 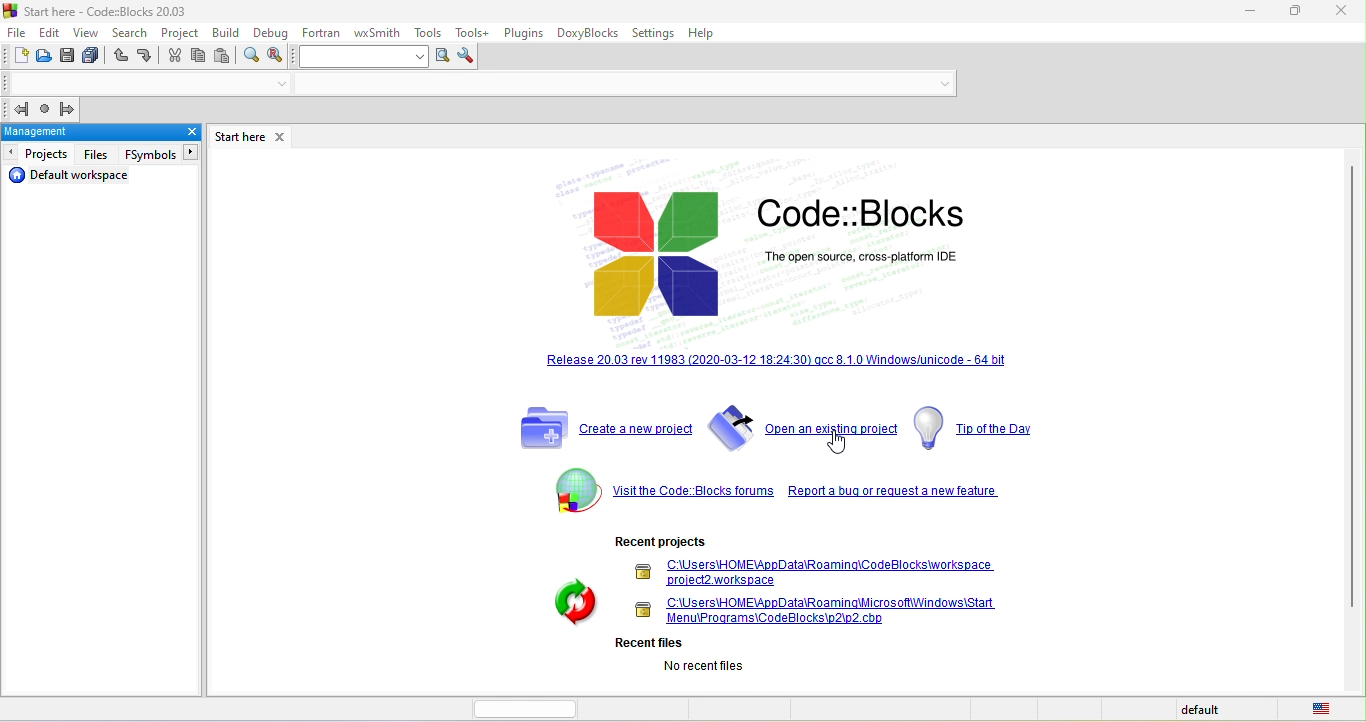 What do you see at coordinates (1338, 12) in the screenshot?
I see `close` at bounding box center [1338, 12].